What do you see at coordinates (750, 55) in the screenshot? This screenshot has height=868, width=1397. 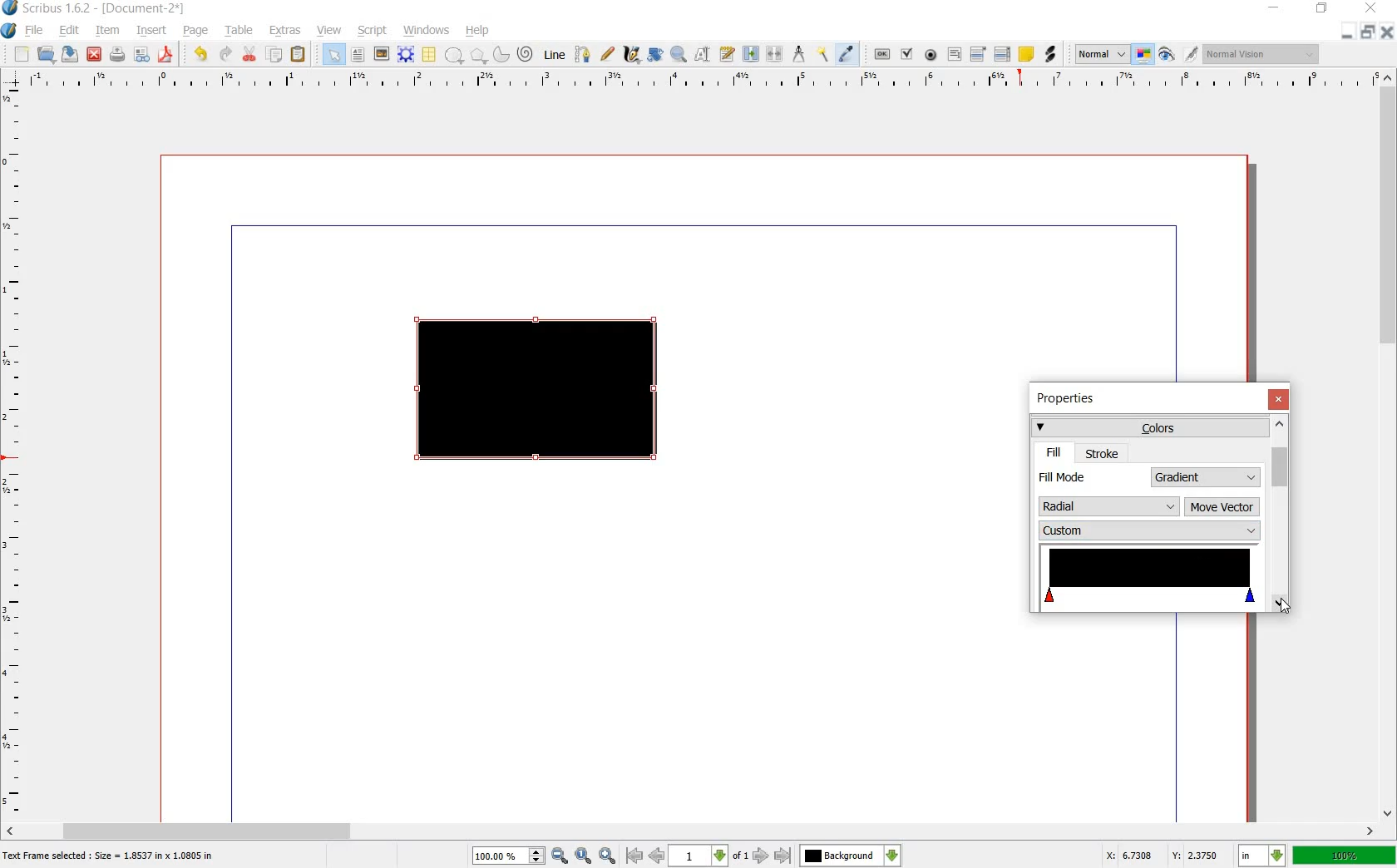 I see `link text frame` at bounding box center [750, 55].